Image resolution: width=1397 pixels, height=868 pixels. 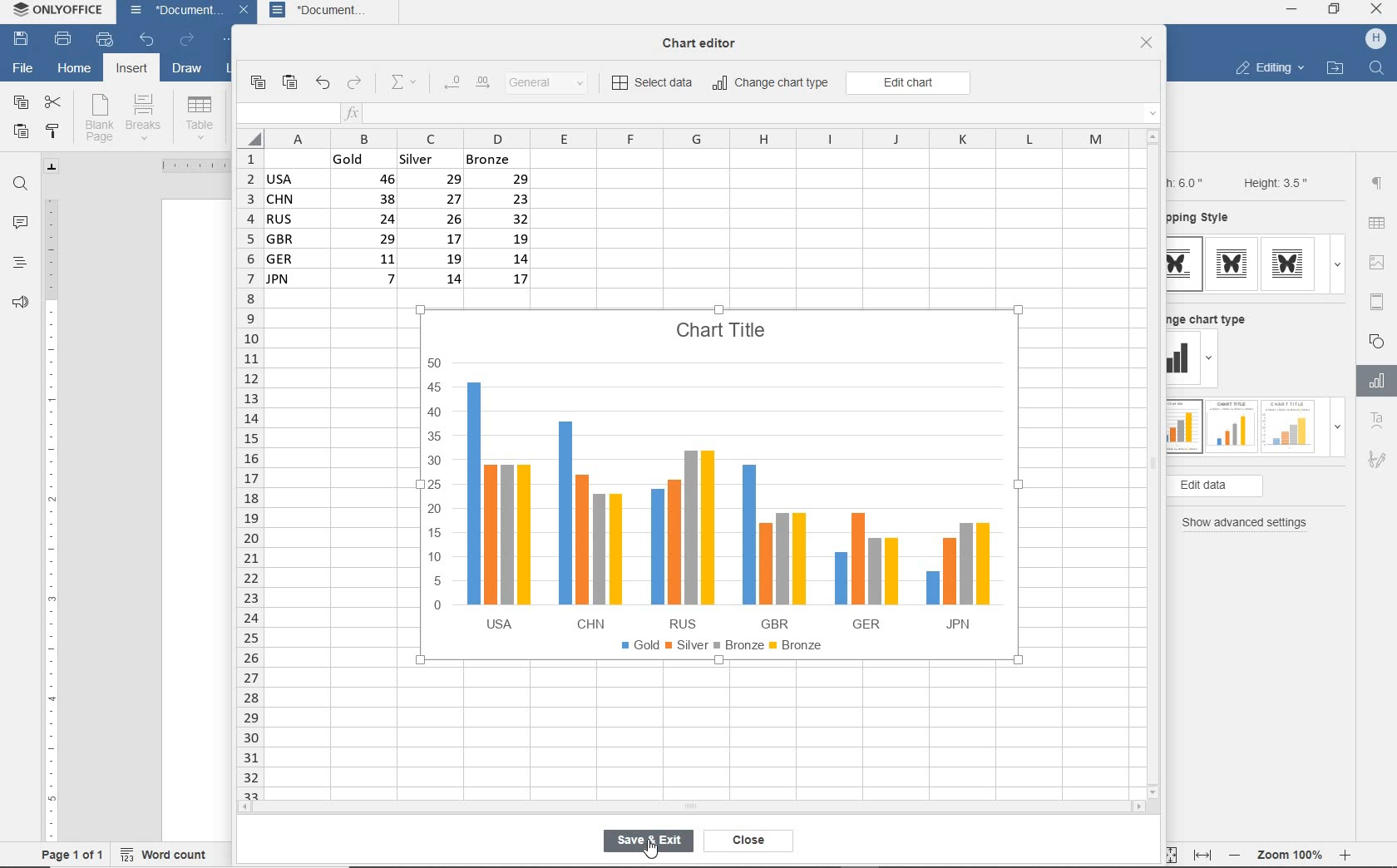 What do you see at coordinates (322, 84) in the screenshot?
I see `undo` at bounding box center [322, 84].